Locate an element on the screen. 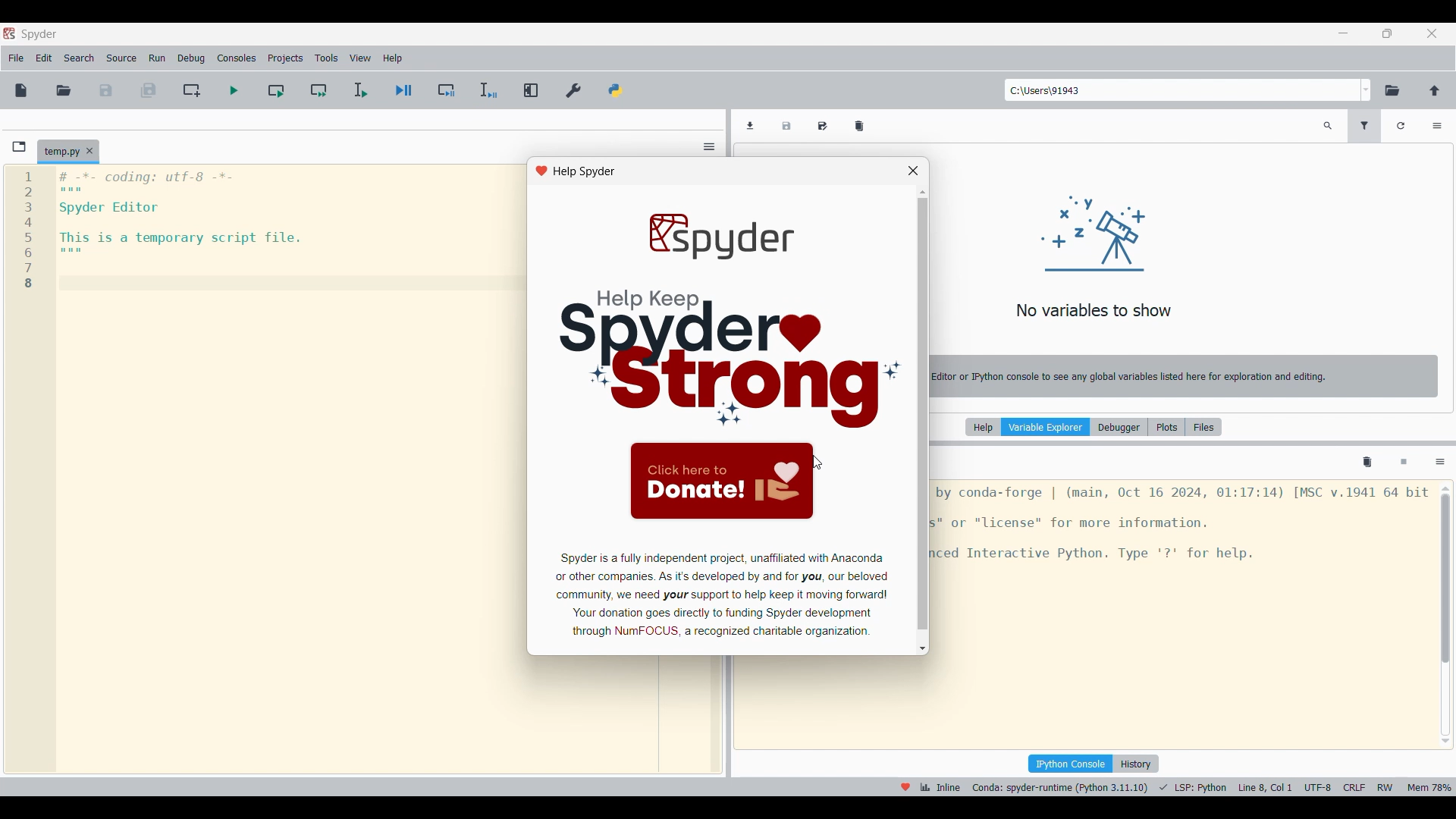 This screenshot has height=819, width=1456. Run menu is located at coordinates (158, 58).